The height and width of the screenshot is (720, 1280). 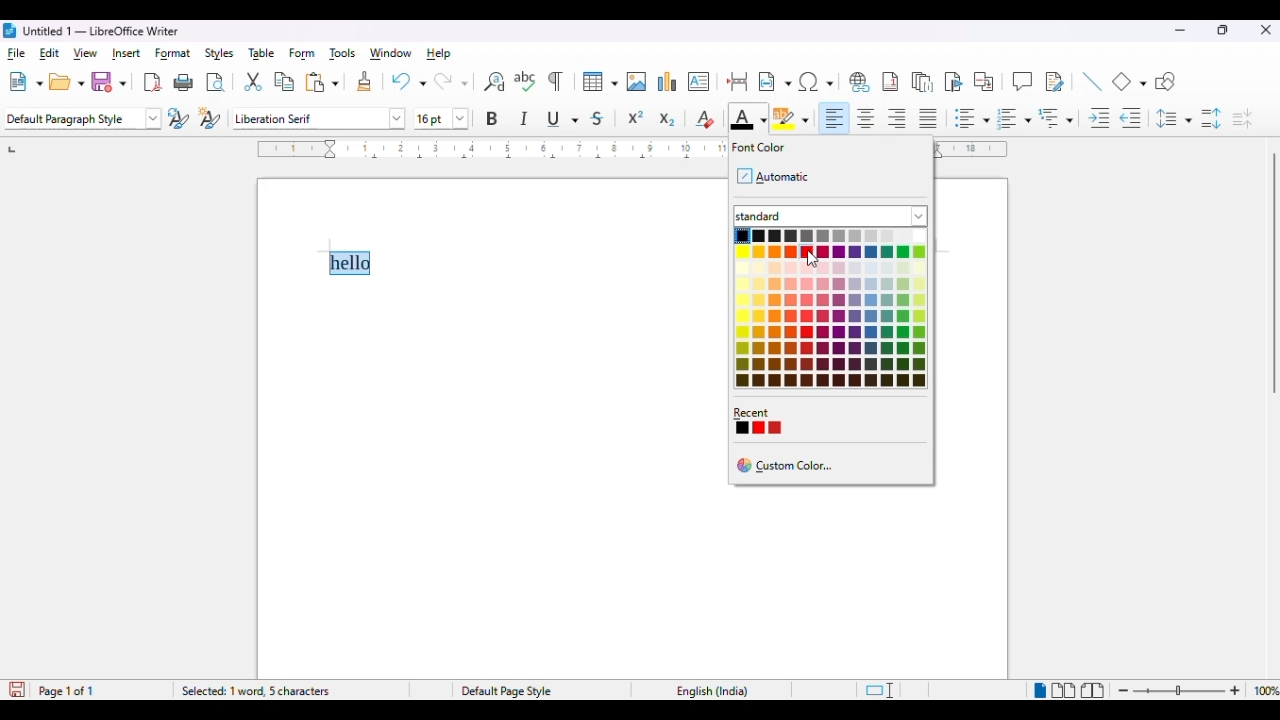 What do you see at coordinates (814, 262) in the screenshot?
I see `cursor` at bounding box center [814, 262].